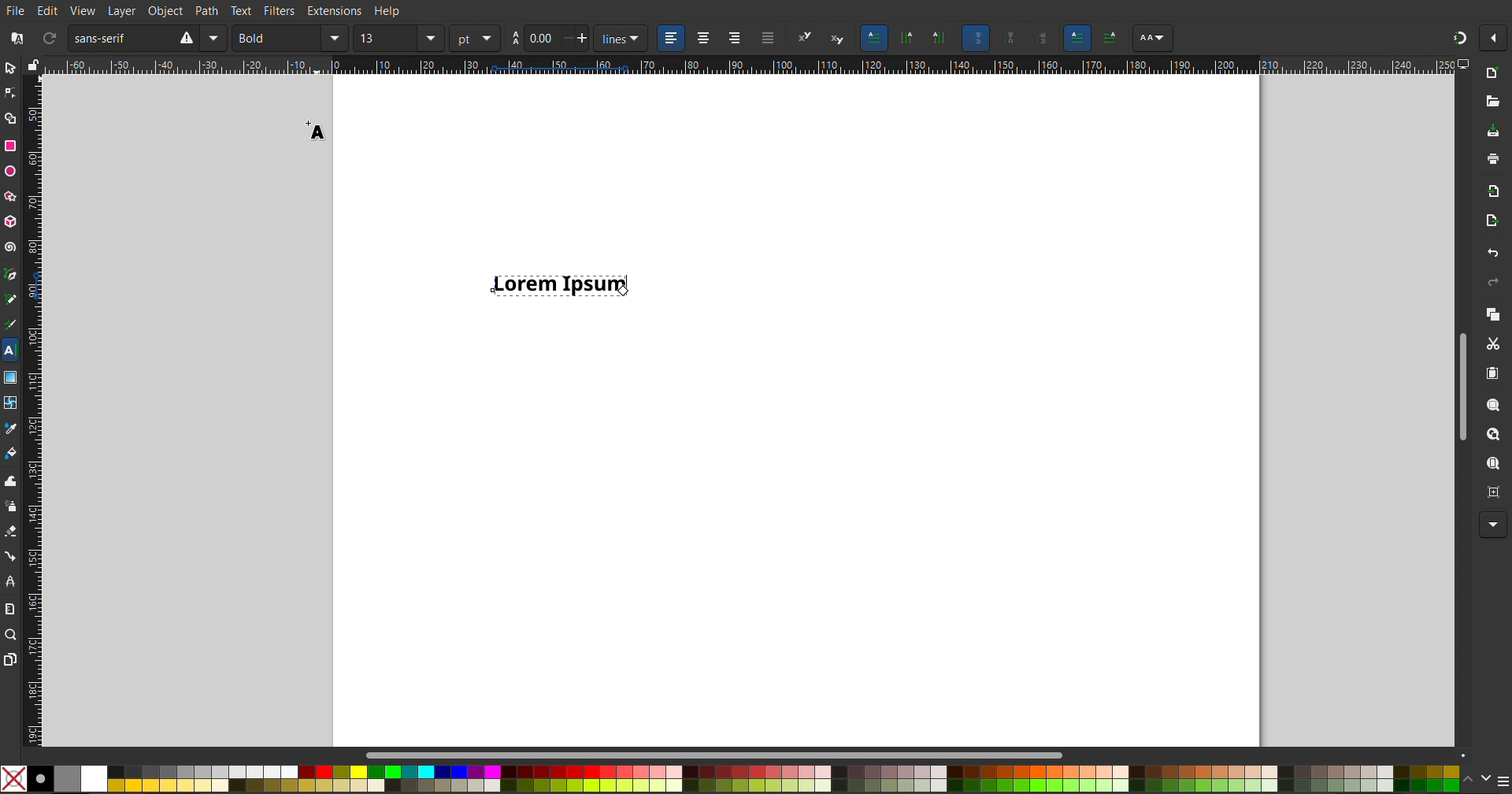 Image resolution: width=1512 pixels, height=794 pixels. What do you see at coordinates (10, 92) in the screenshot?
I see `Node Tools` at bounding box center [10, 92].